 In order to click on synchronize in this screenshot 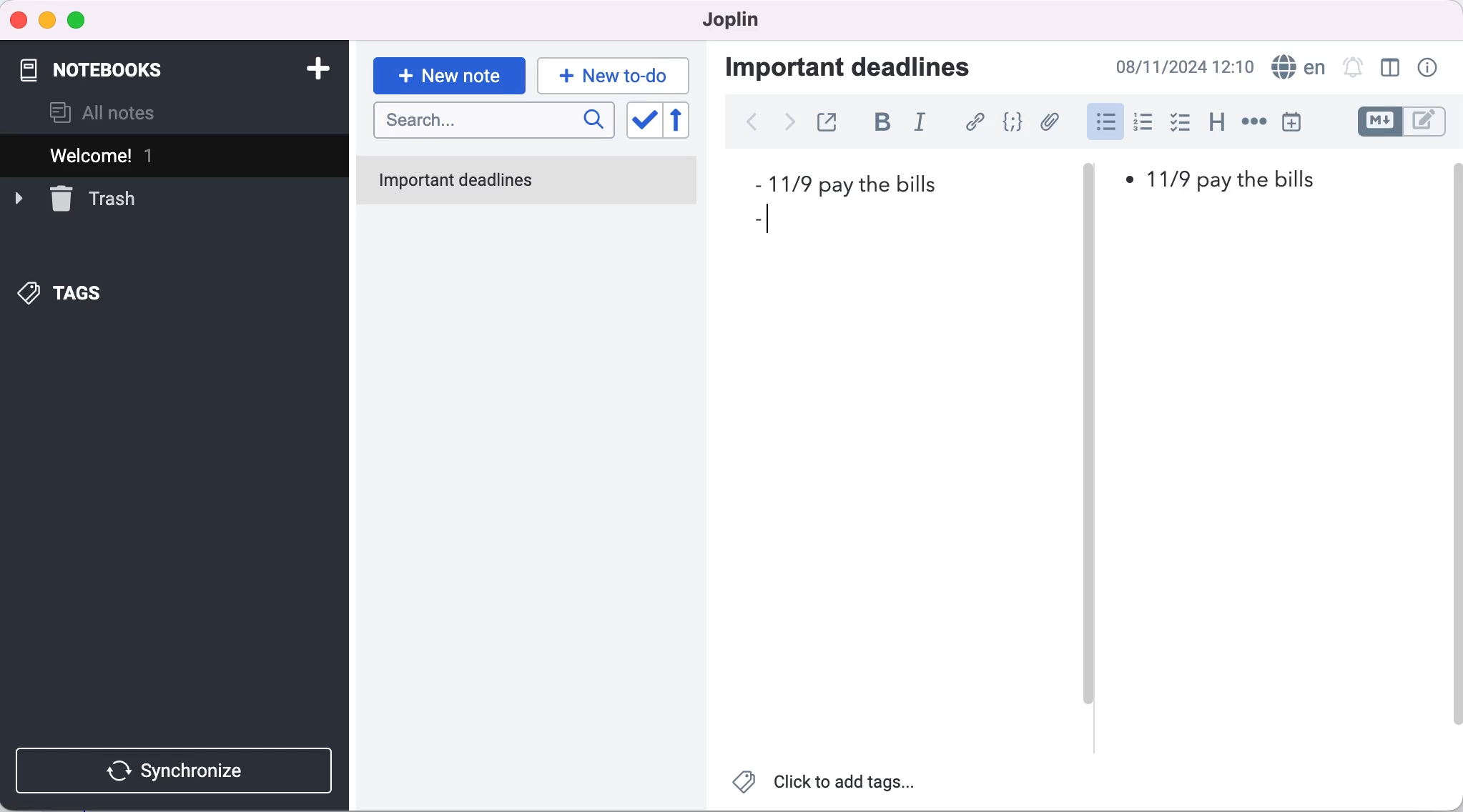, I will do `click(179, 770)`.